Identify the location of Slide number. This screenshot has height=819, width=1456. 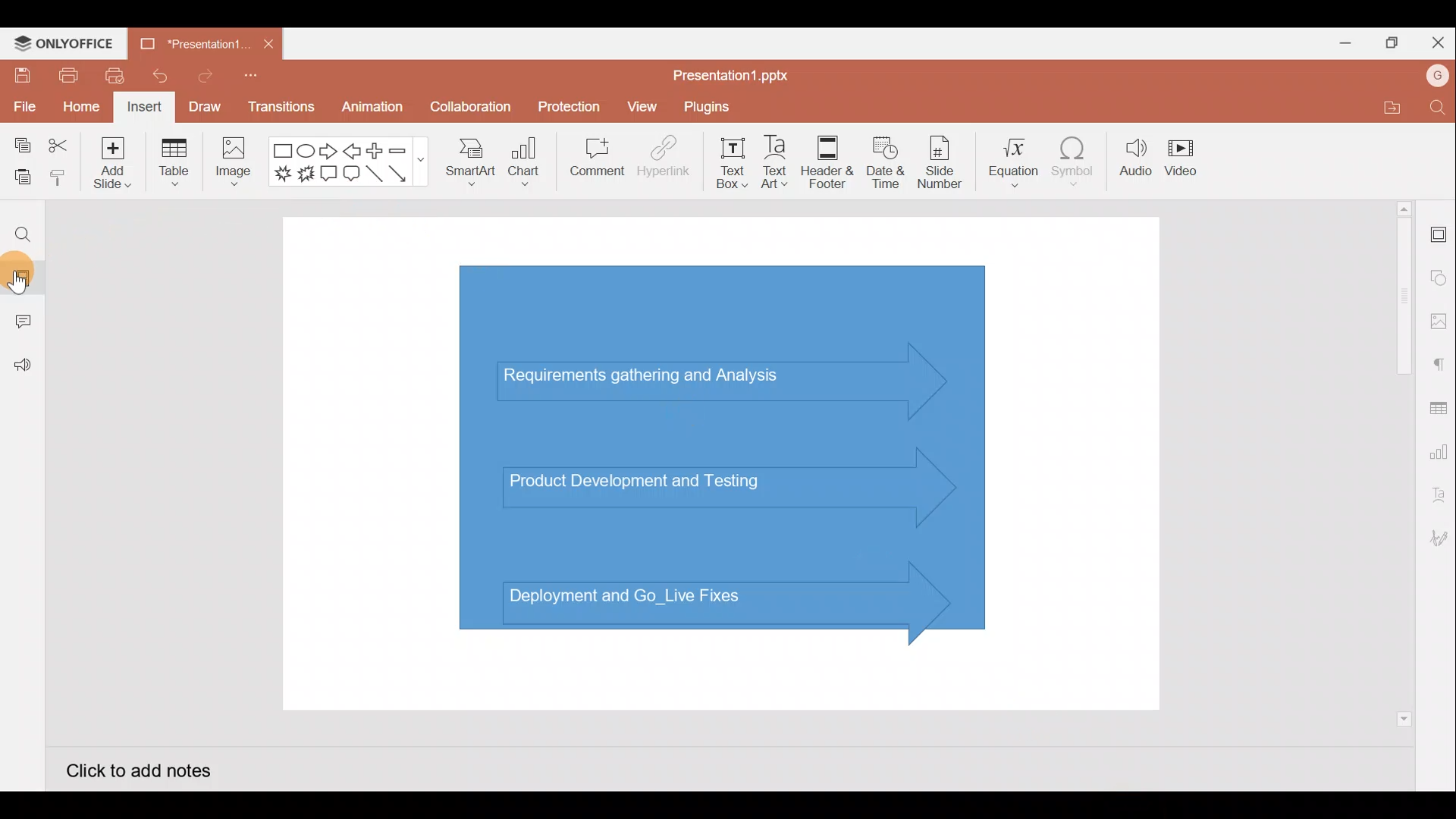
(945, 162).